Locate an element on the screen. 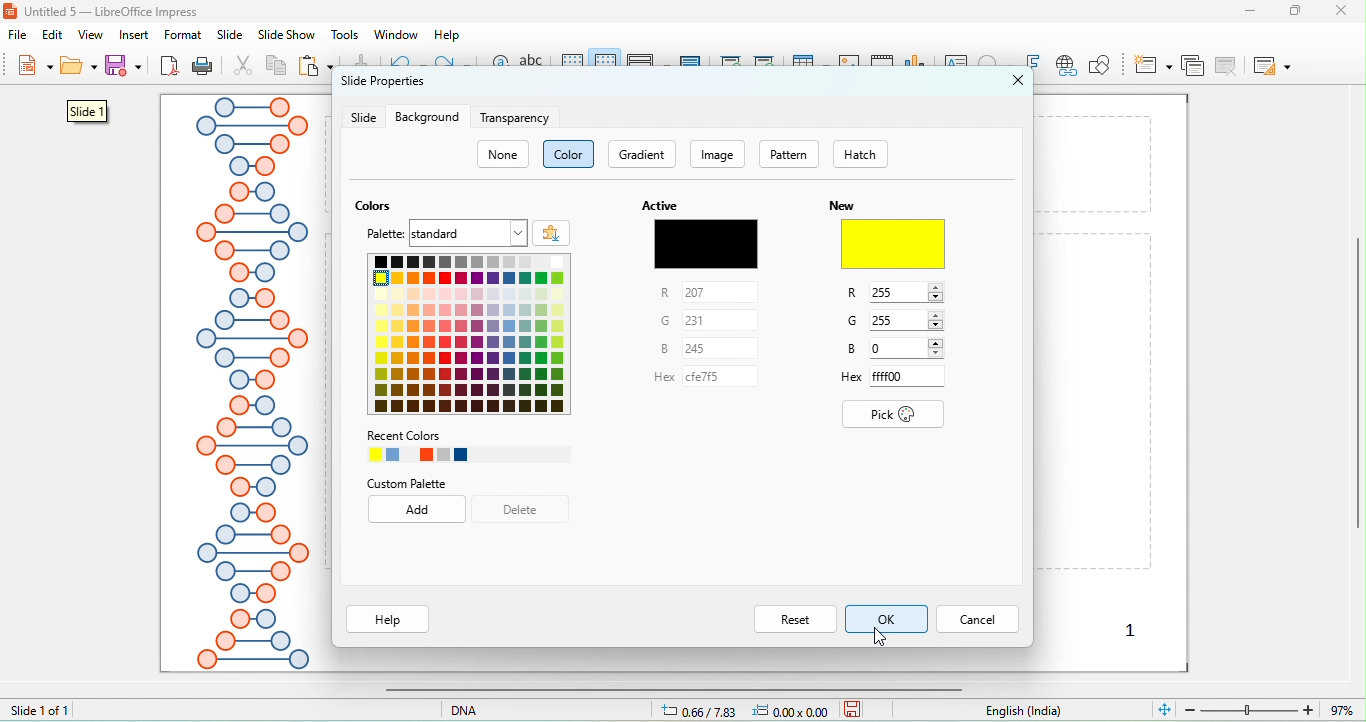  Palette is located at coordinates (469, 334).